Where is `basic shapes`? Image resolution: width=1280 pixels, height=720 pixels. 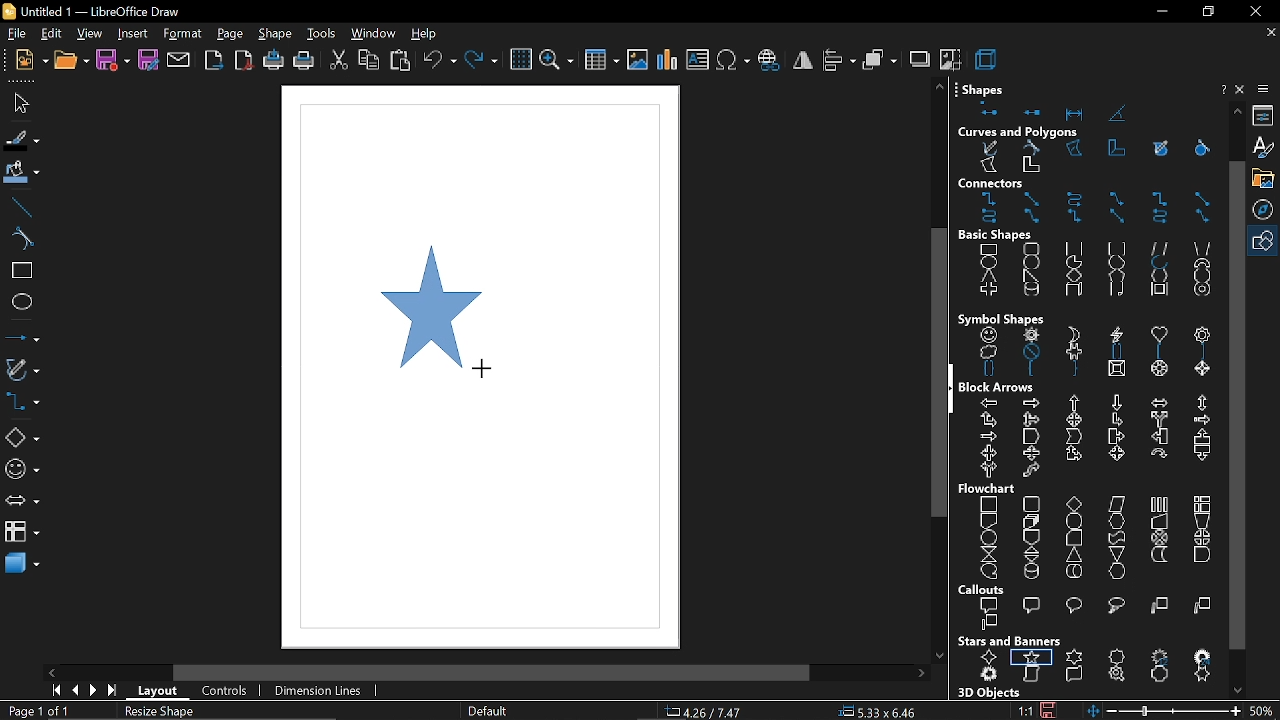 basic shapes is located at coordinates (1087, 271).